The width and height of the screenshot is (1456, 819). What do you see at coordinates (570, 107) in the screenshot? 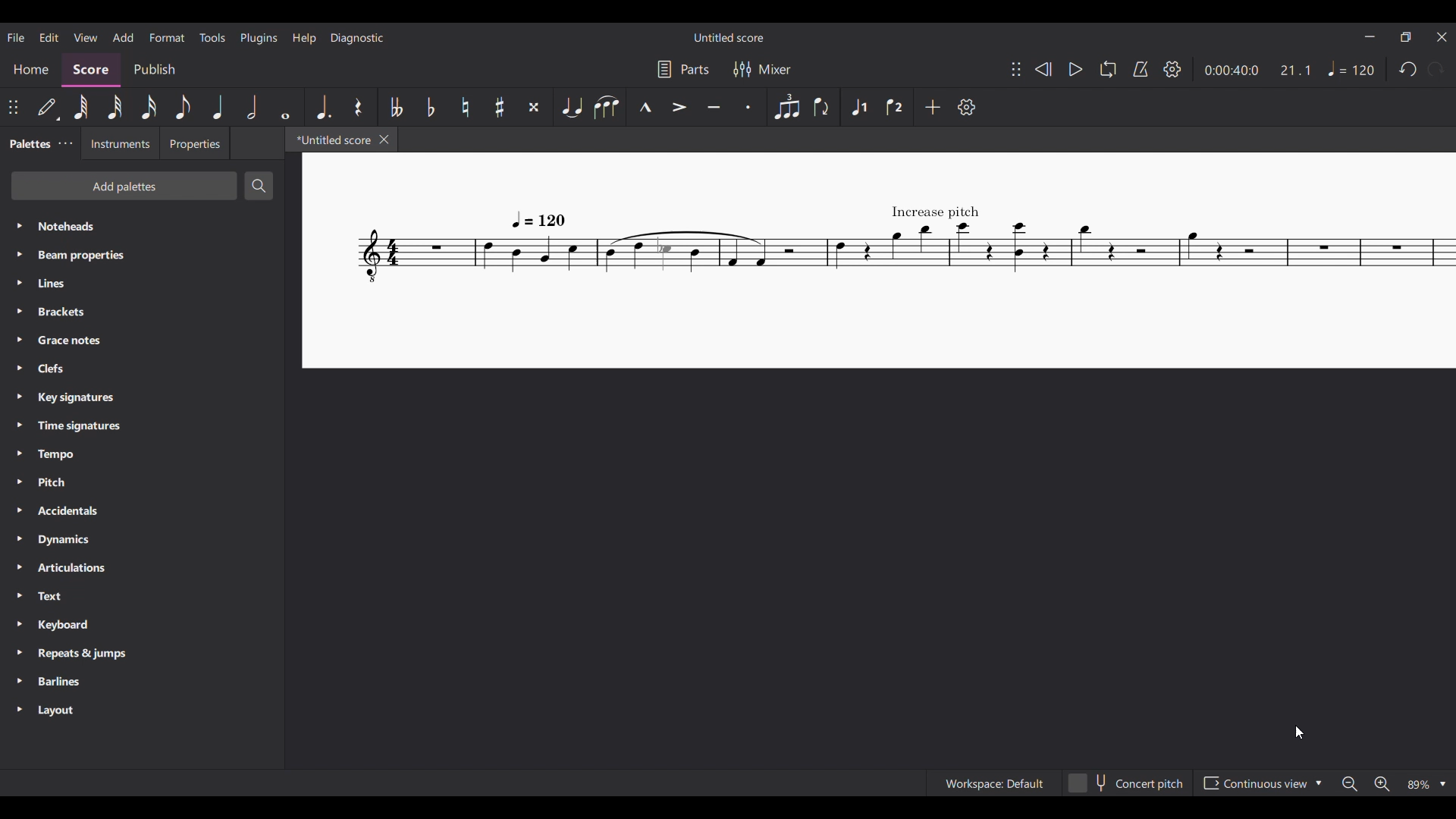
I see `Tie` at bounding box center [570, 107].